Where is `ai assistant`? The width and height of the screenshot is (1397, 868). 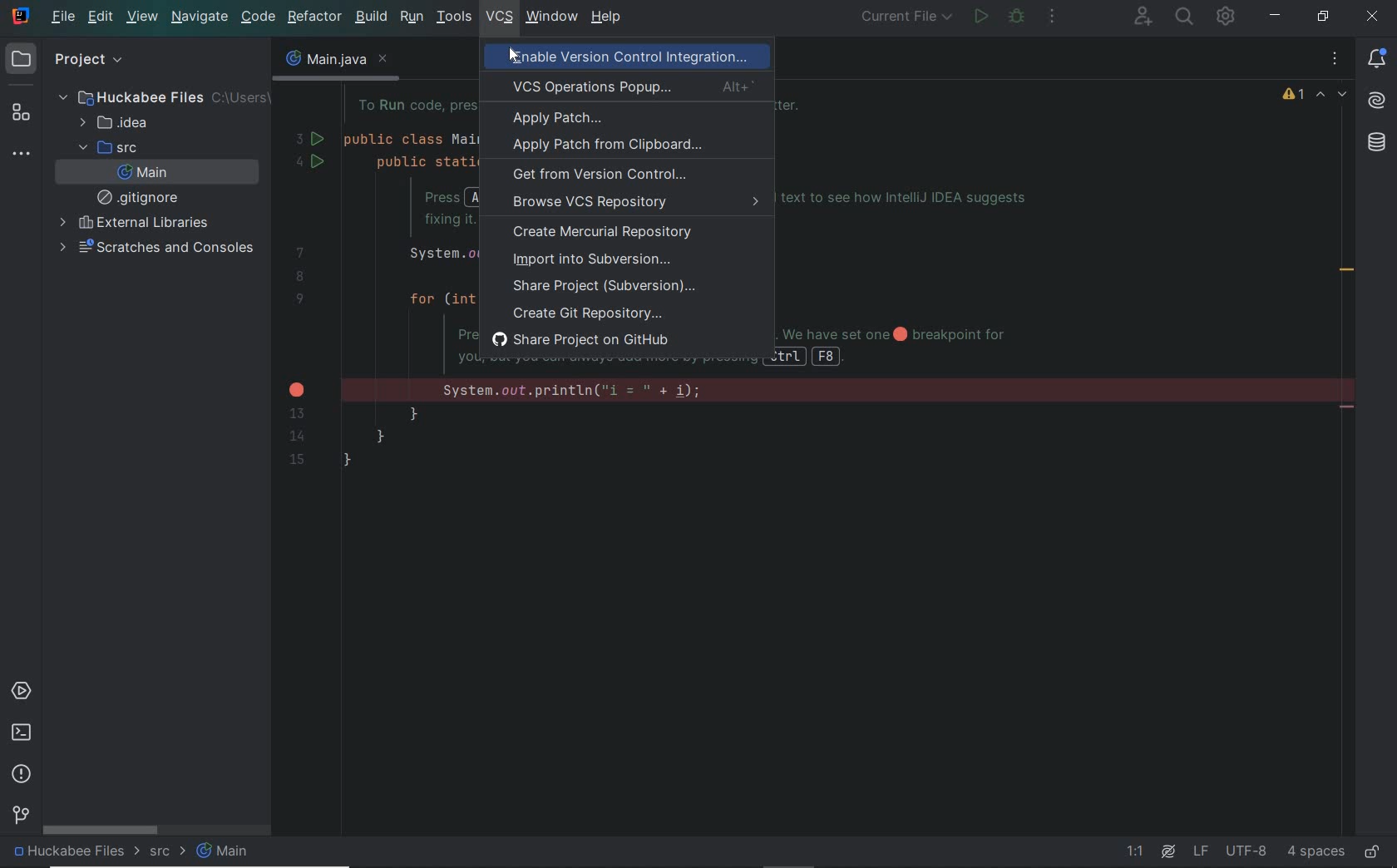
ai assistant is located at coordinates (1167, 851).